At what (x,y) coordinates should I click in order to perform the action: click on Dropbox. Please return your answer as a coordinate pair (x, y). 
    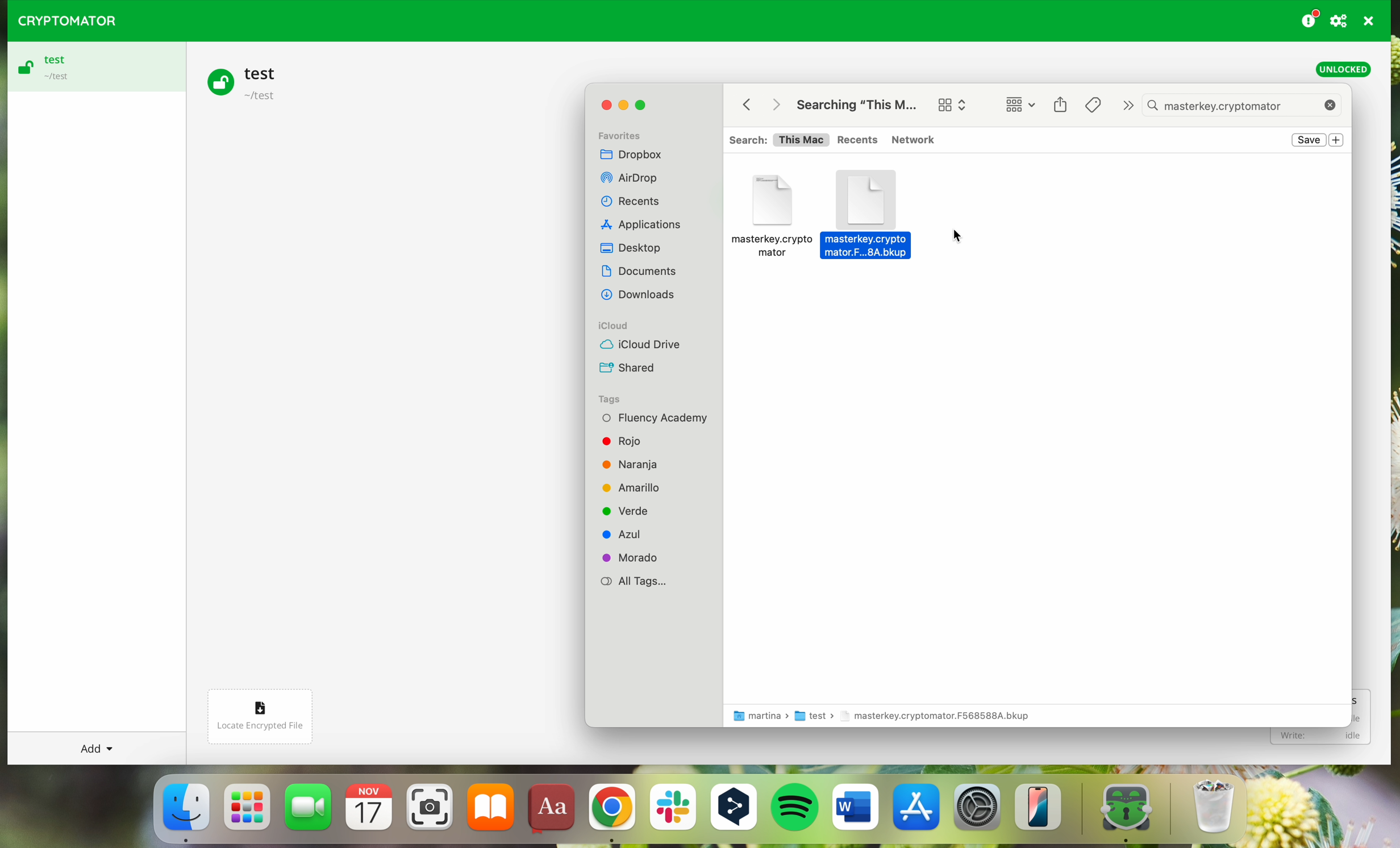
    Looking at the image, I should click on (639, 153).